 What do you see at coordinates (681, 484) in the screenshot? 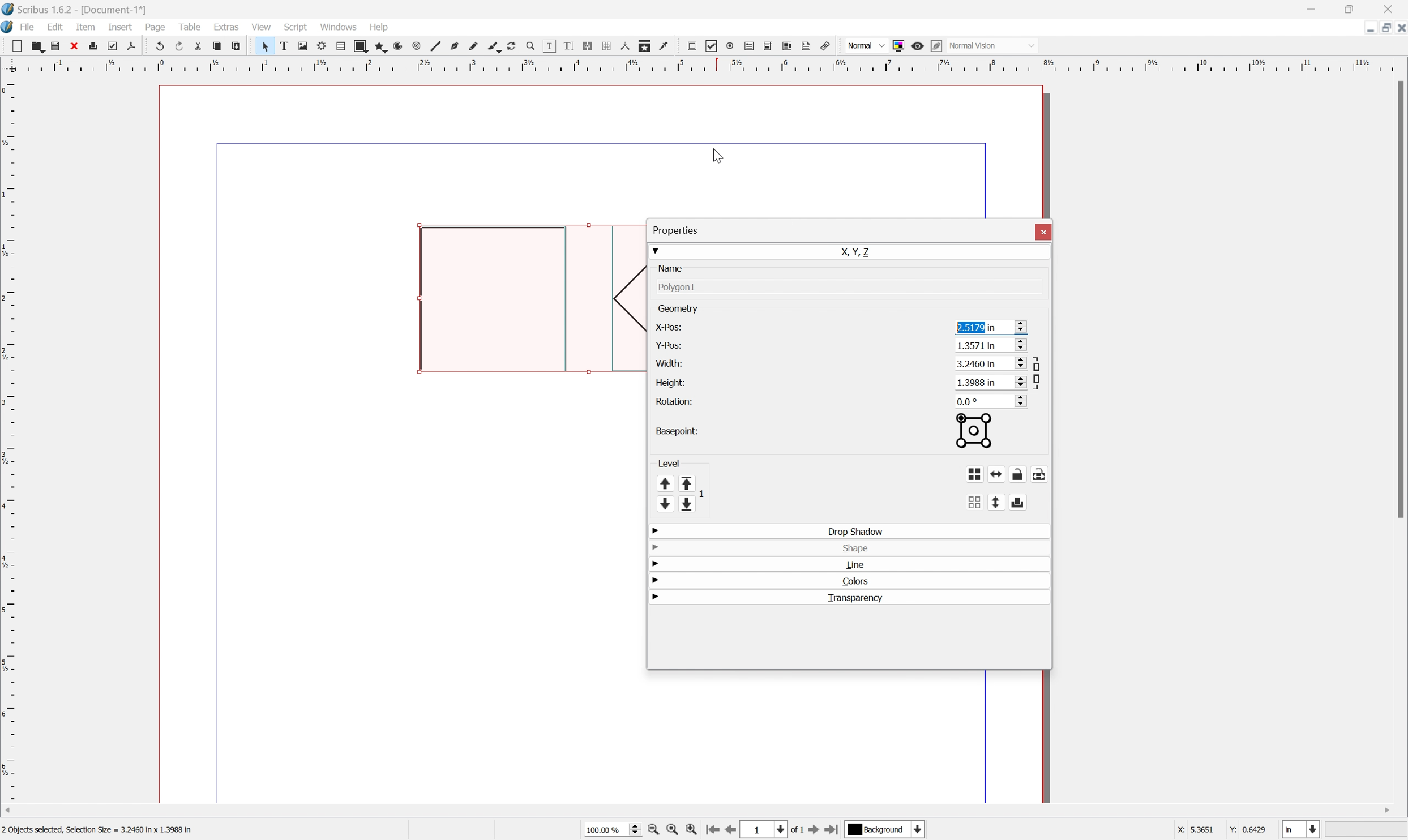
I see `Level` at bounding box center [681, 484].